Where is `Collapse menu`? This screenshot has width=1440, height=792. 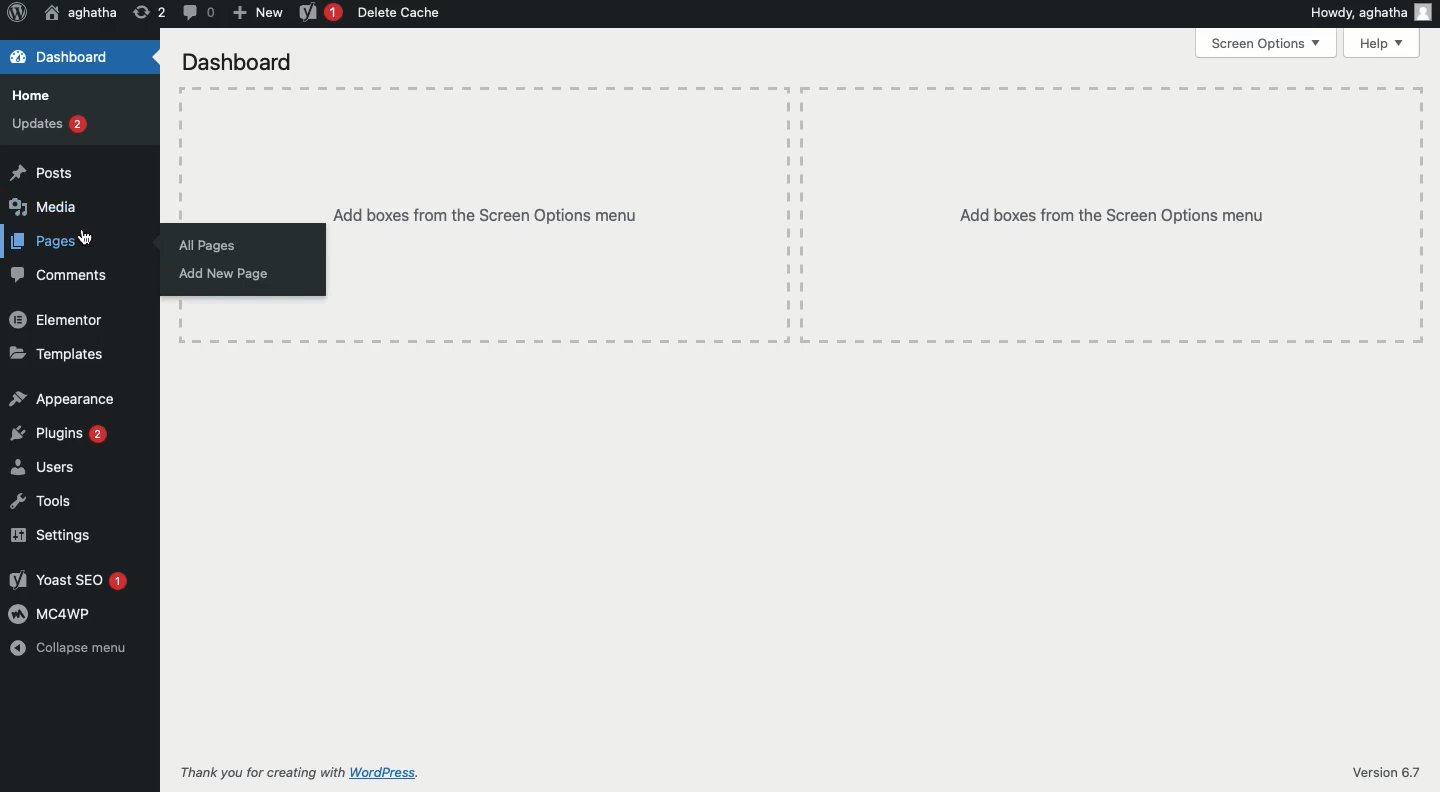
Collapse menu is located at coordinates (74, 648).